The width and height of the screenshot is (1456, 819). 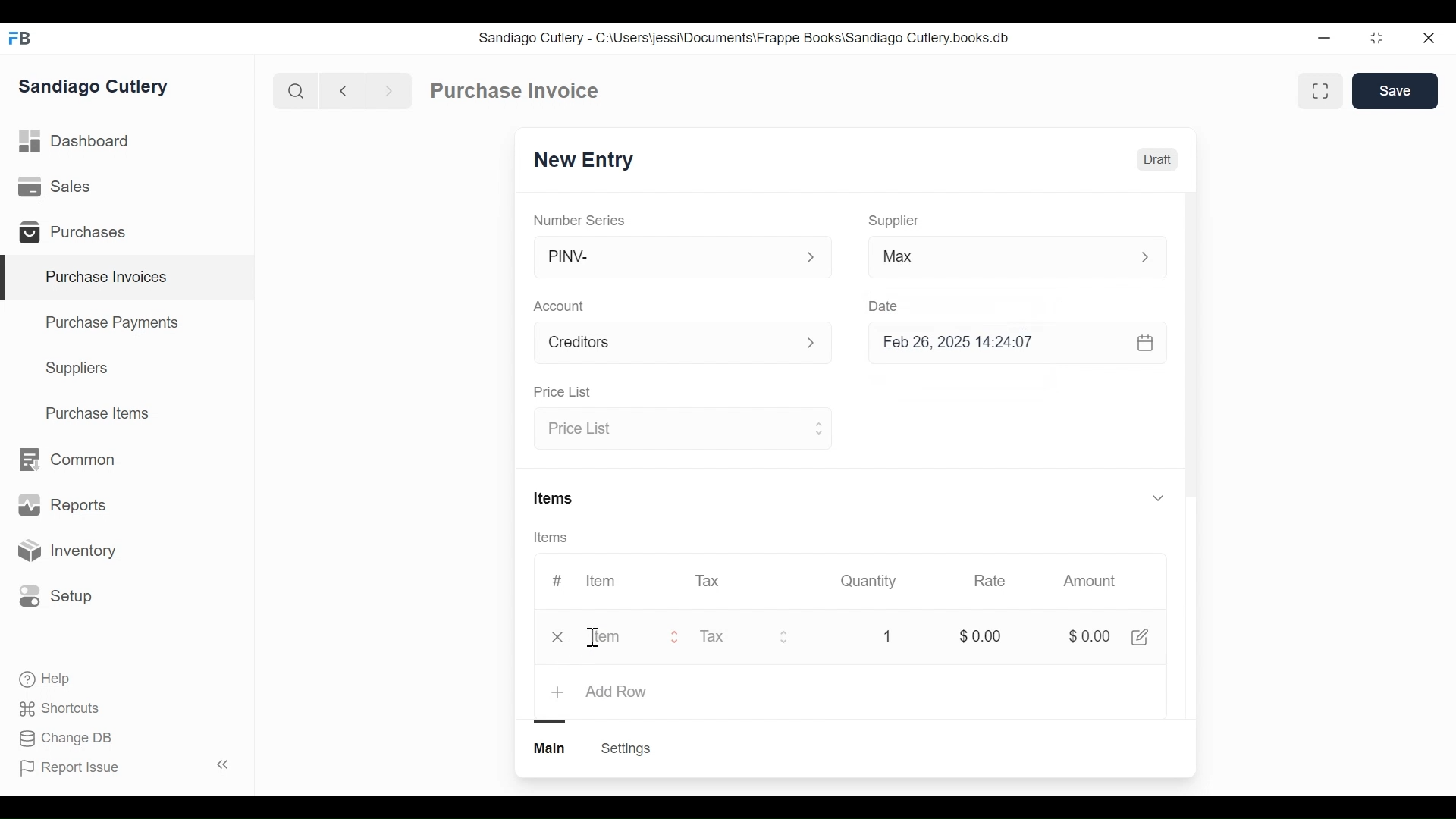 What do you see at coordinates (56, 595) in the screenshot?
I see `Setup` at bounding box center [56, 595].